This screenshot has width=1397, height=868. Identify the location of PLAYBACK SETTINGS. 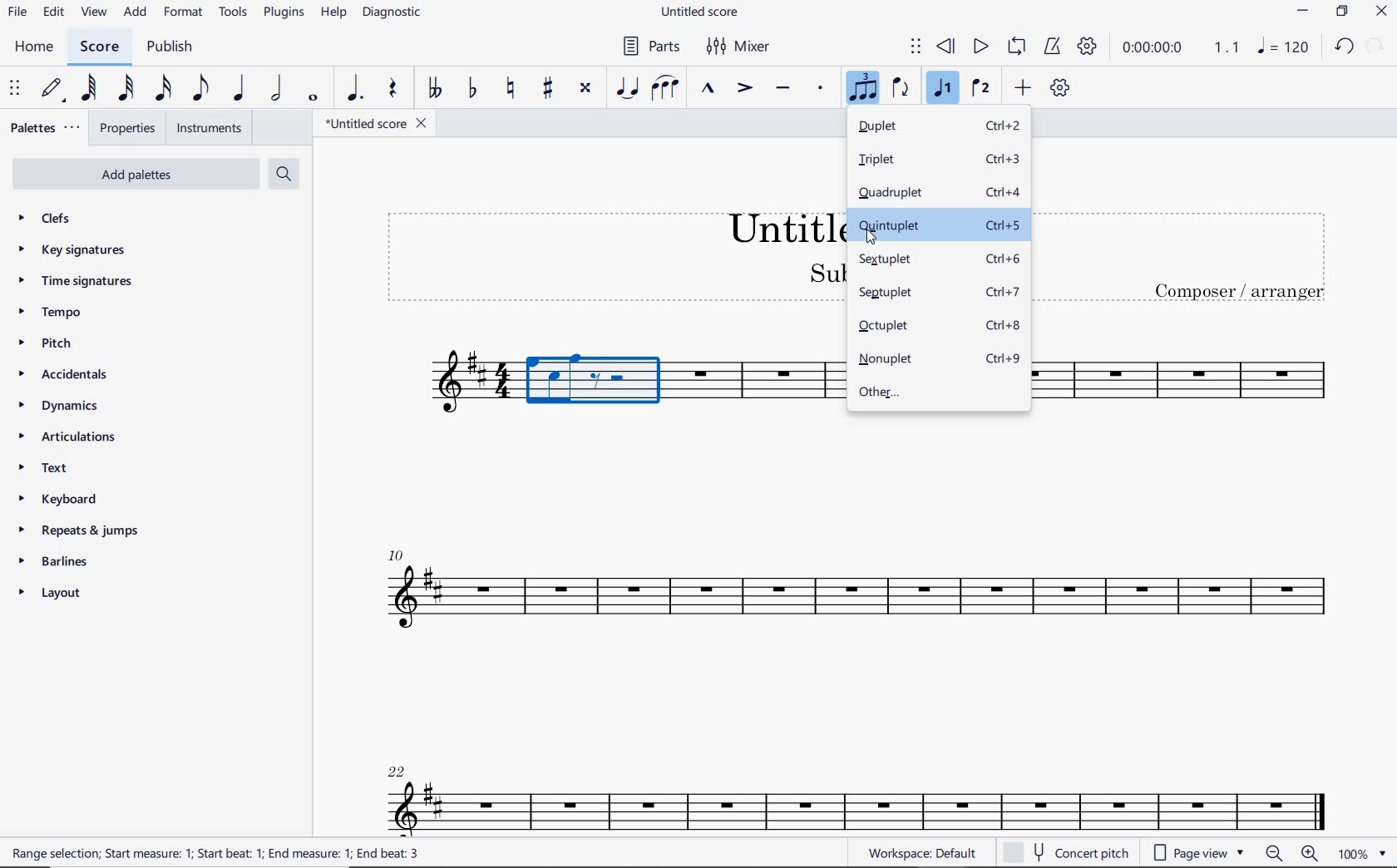
(1088, 47).